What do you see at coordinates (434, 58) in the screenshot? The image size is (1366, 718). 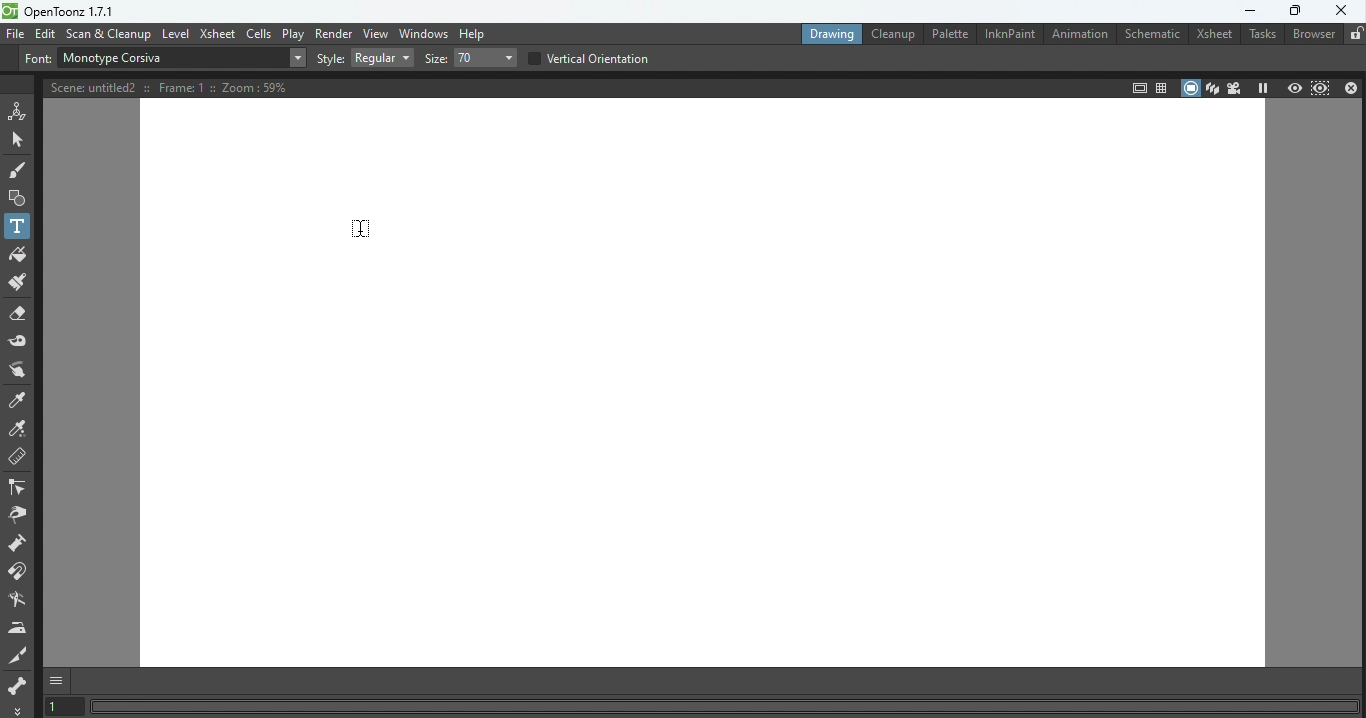 I see `Size` at bounding box center [434, 58].